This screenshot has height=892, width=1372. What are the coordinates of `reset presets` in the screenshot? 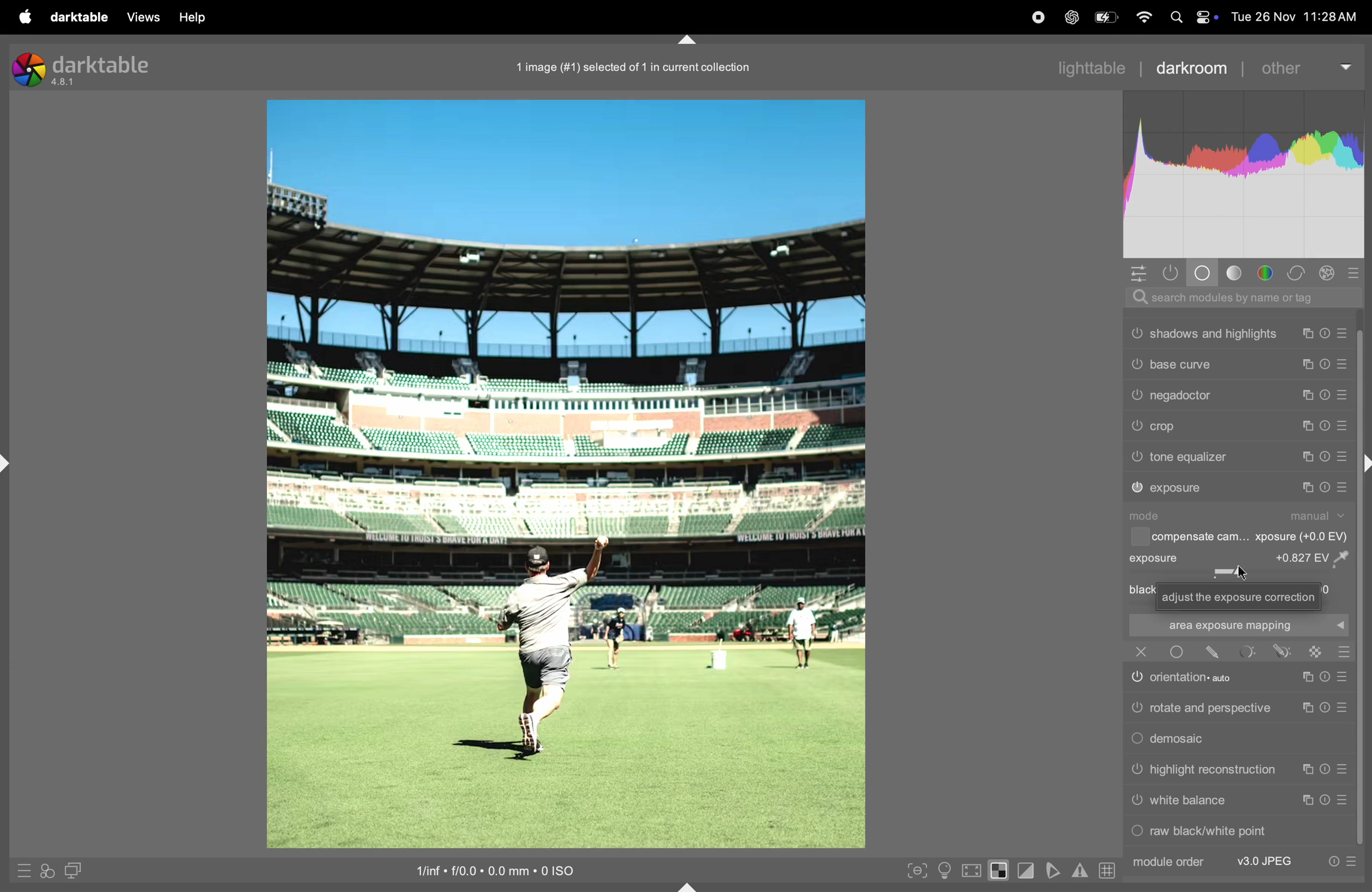 It's located at (1324, 487).